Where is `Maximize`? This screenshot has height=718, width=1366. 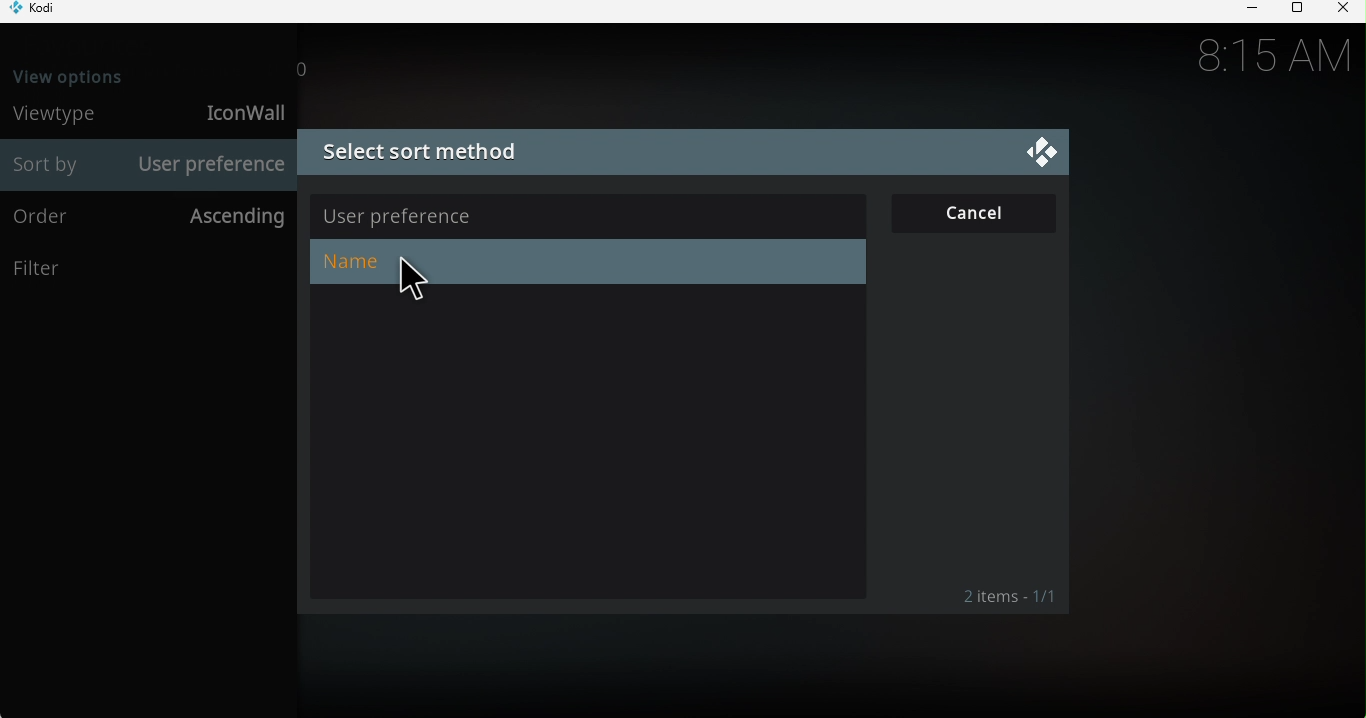 Maximize is located at coordinates (1294, 11).